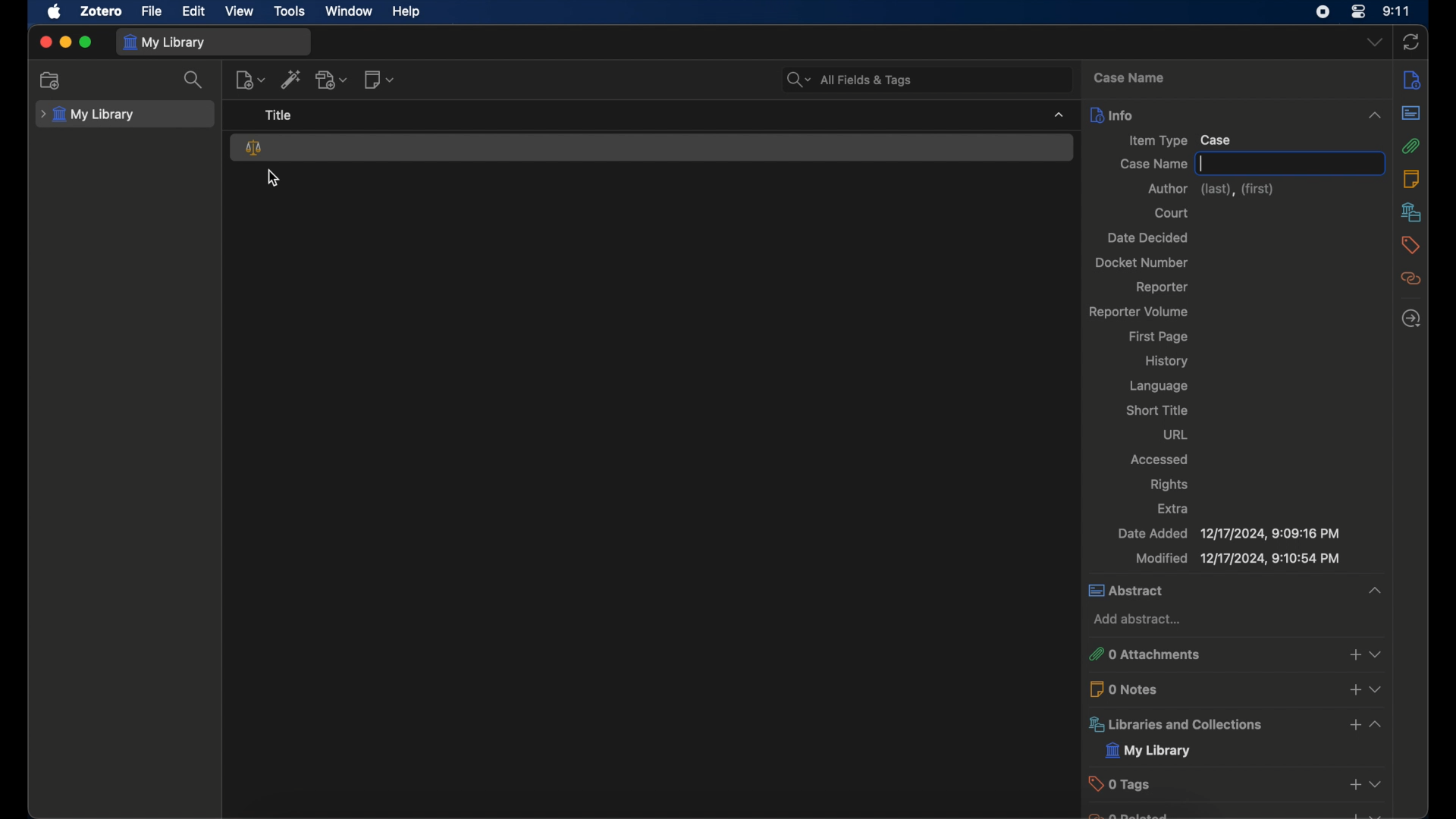  Describe the element at coordinates (350, 11) in the screenshot. I see `window` at that location.